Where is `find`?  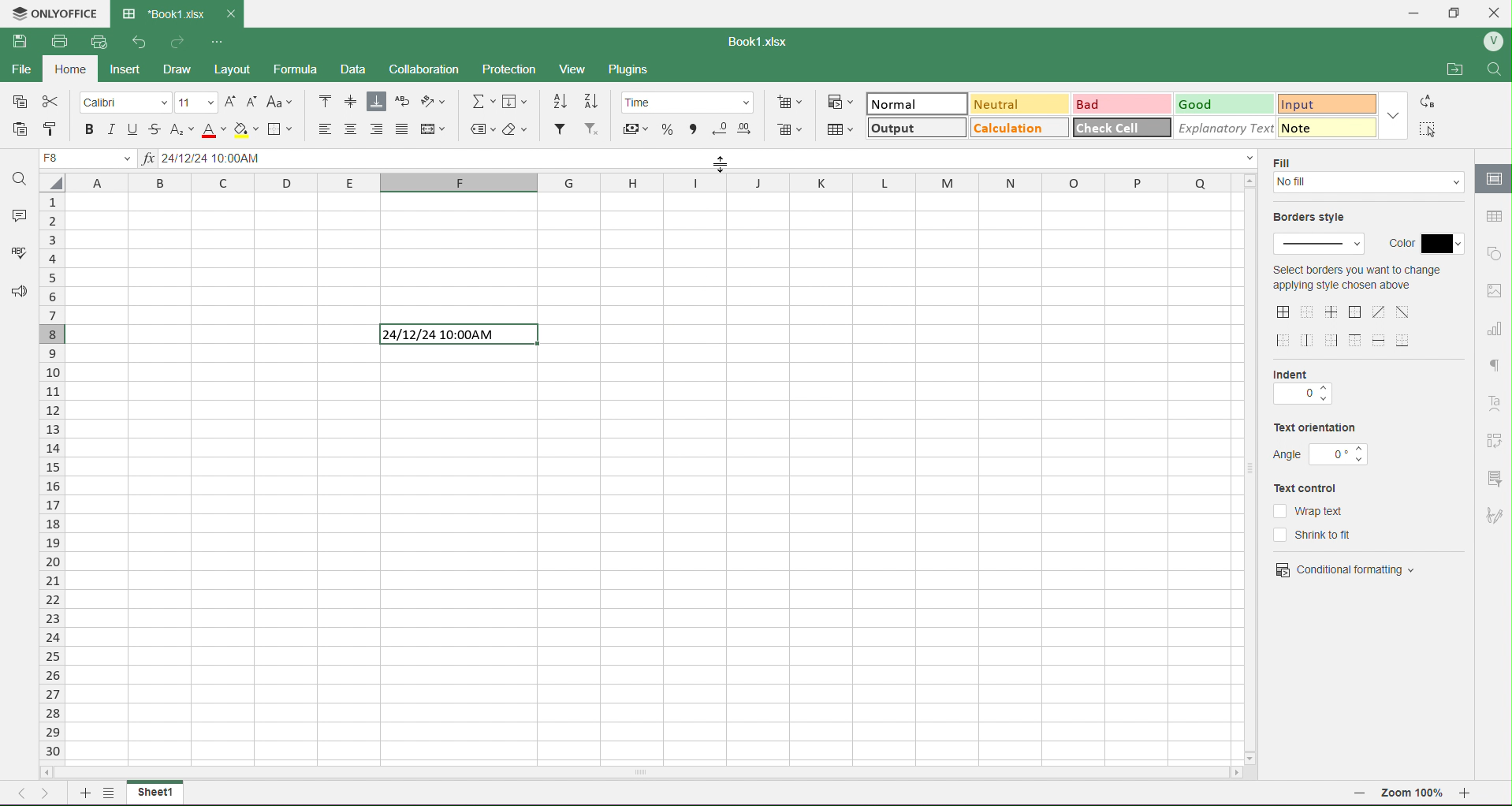
find is located at coordinates (1499, 69).